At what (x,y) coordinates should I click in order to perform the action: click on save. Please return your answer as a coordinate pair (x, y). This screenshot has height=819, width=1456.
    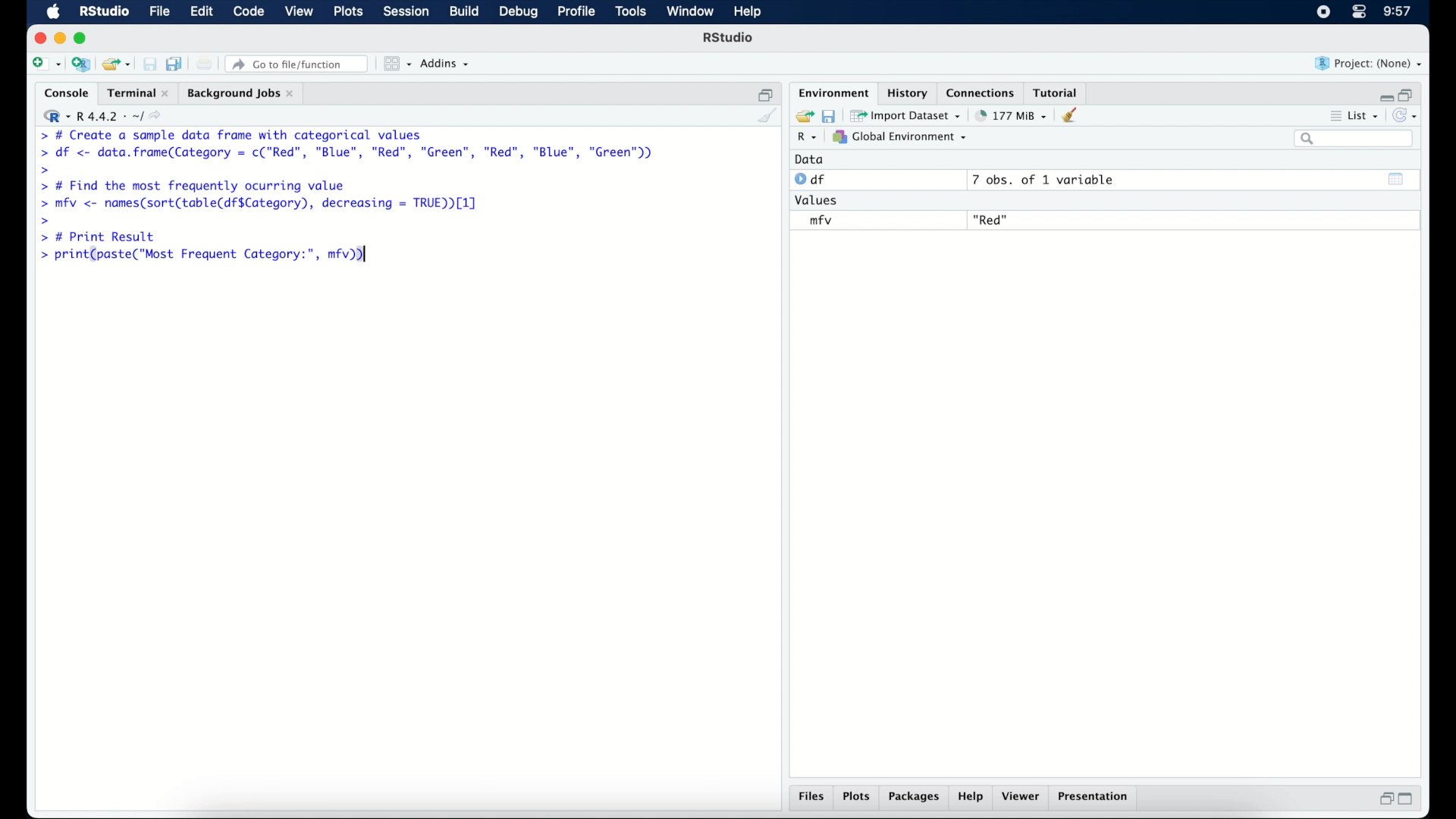
    Looking at the image, I should click on (828, 116).